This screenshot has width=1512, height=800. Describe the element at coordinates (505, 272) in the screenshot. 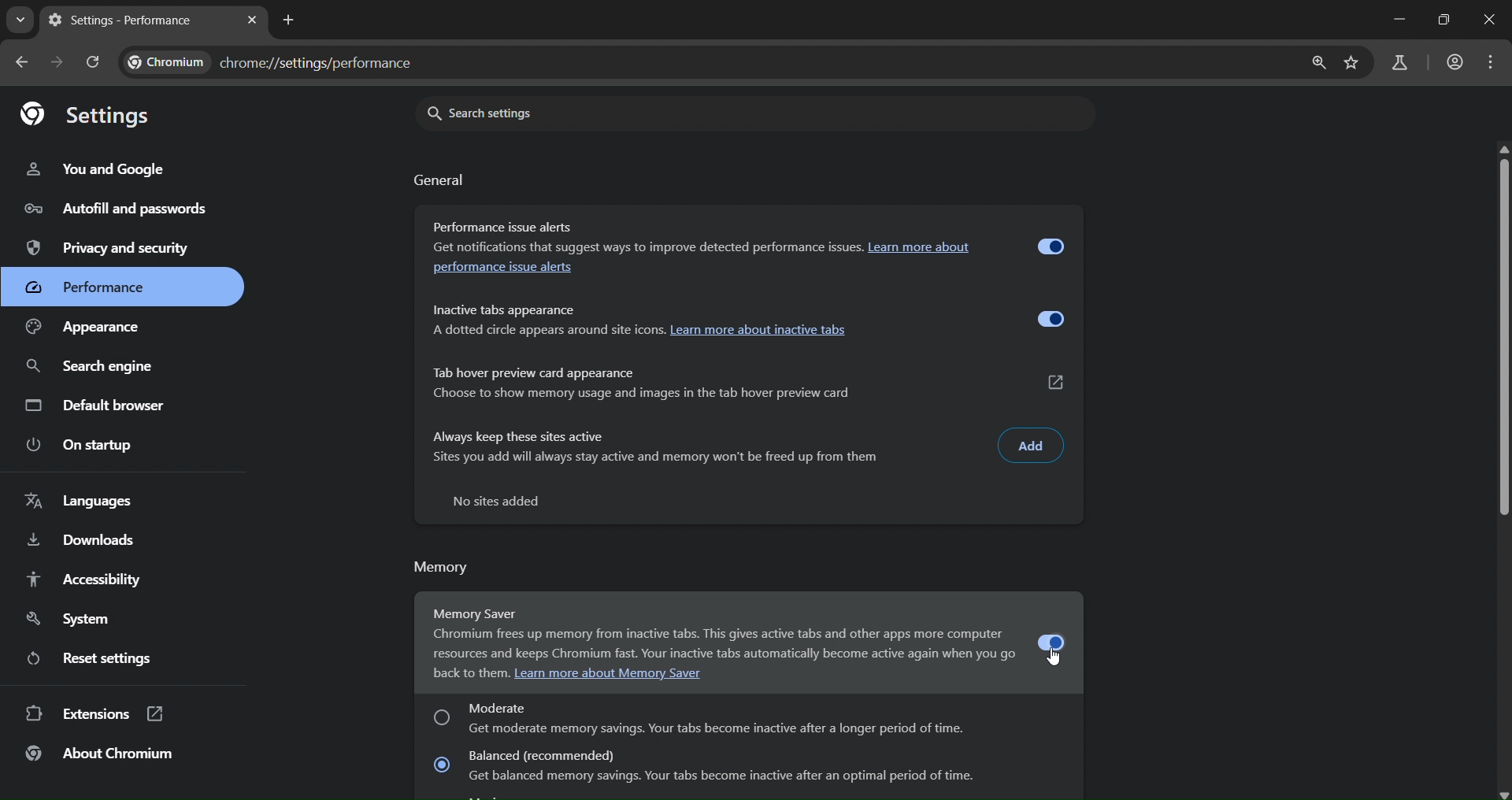

I see `performance issue alerts` at that location.